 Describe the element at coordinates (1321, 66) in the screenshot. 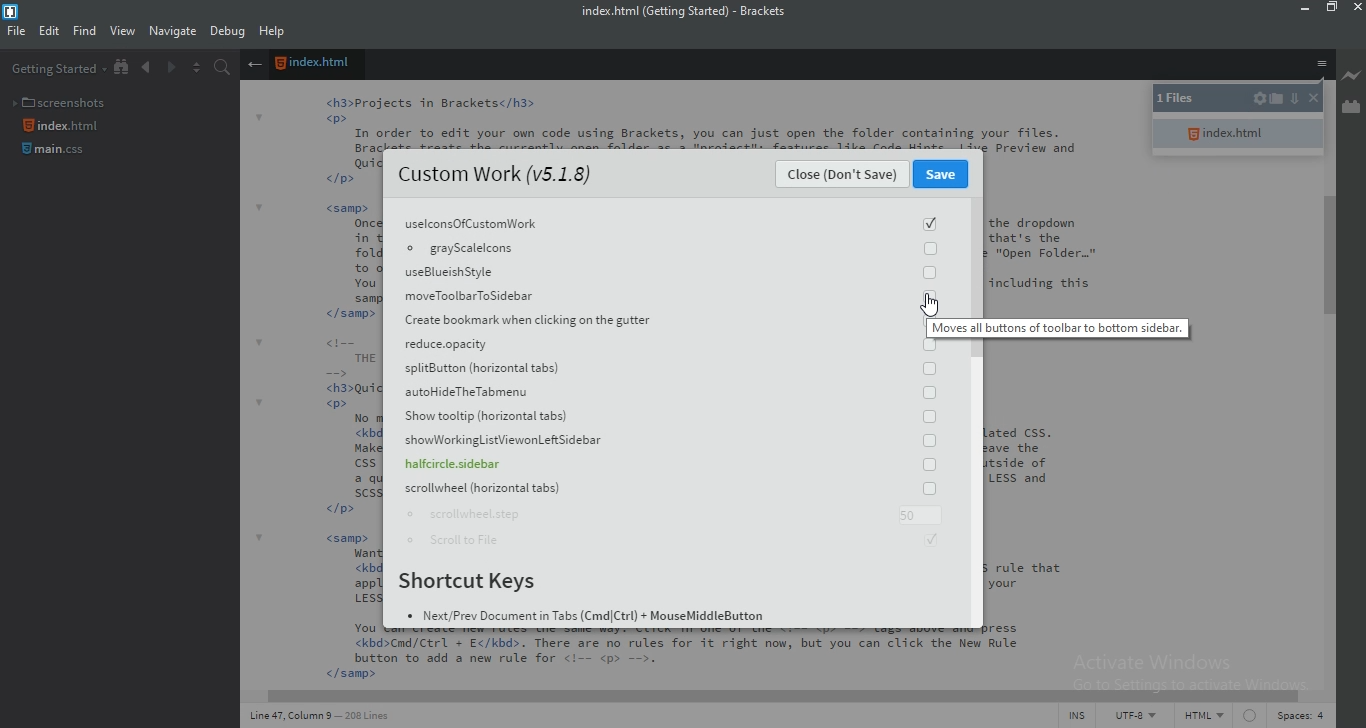

I see `menu` at that location.